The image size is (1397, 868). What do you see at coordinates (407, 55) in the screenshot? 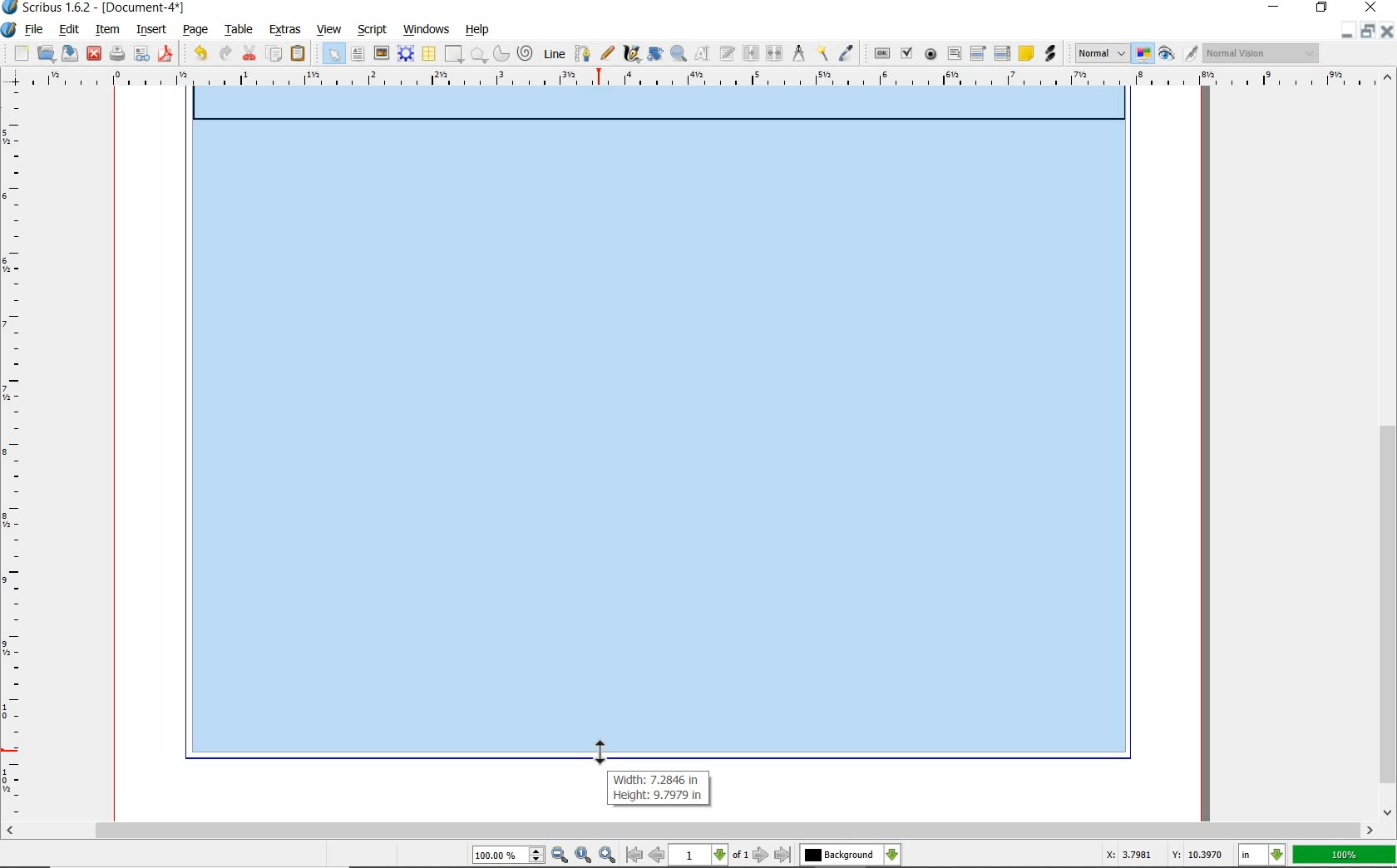
I see `render frame` at bounding box center [407, 55].